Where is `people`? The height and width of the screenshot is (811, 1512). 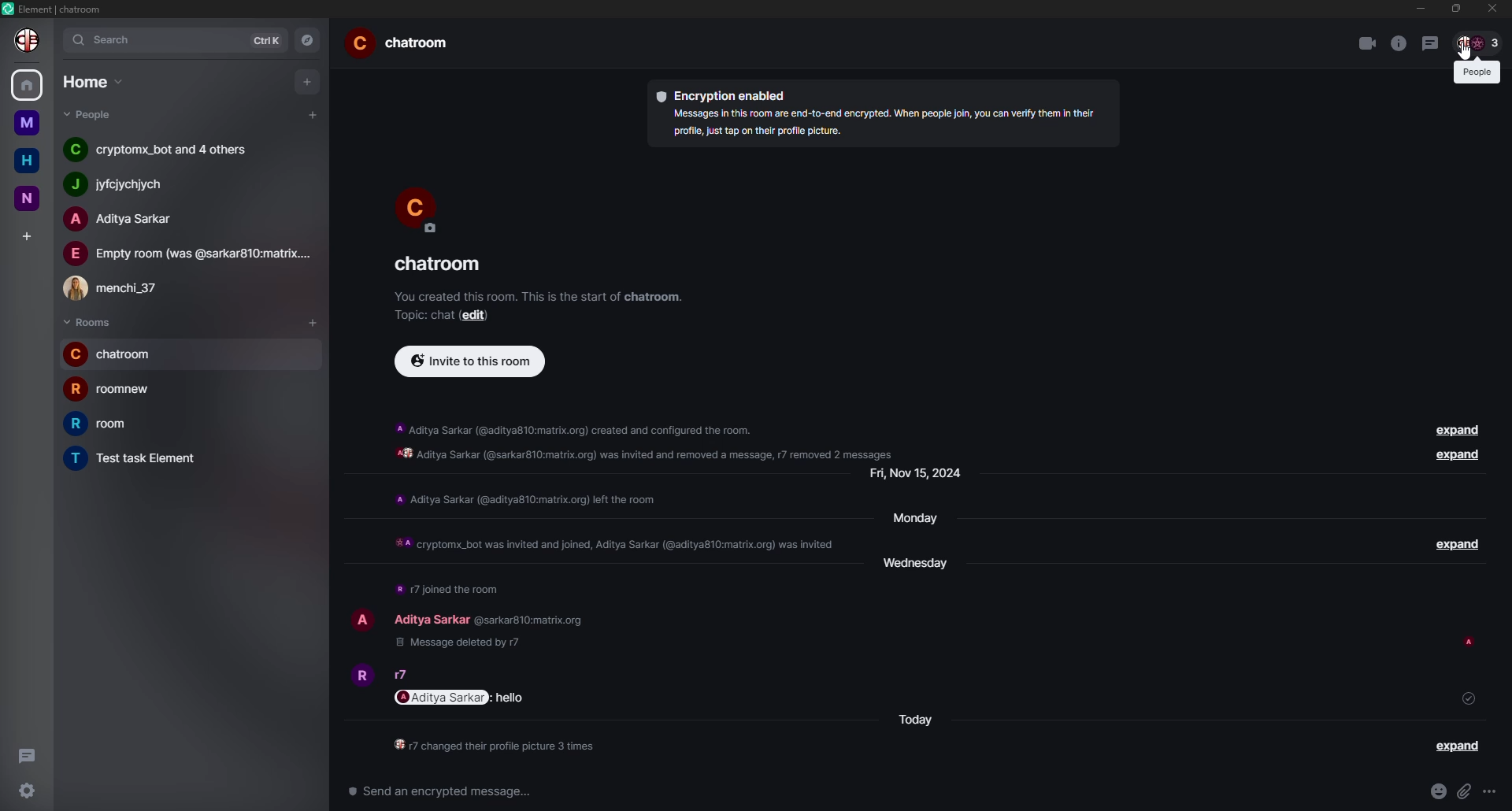 people is located at coordinates (405, 675).